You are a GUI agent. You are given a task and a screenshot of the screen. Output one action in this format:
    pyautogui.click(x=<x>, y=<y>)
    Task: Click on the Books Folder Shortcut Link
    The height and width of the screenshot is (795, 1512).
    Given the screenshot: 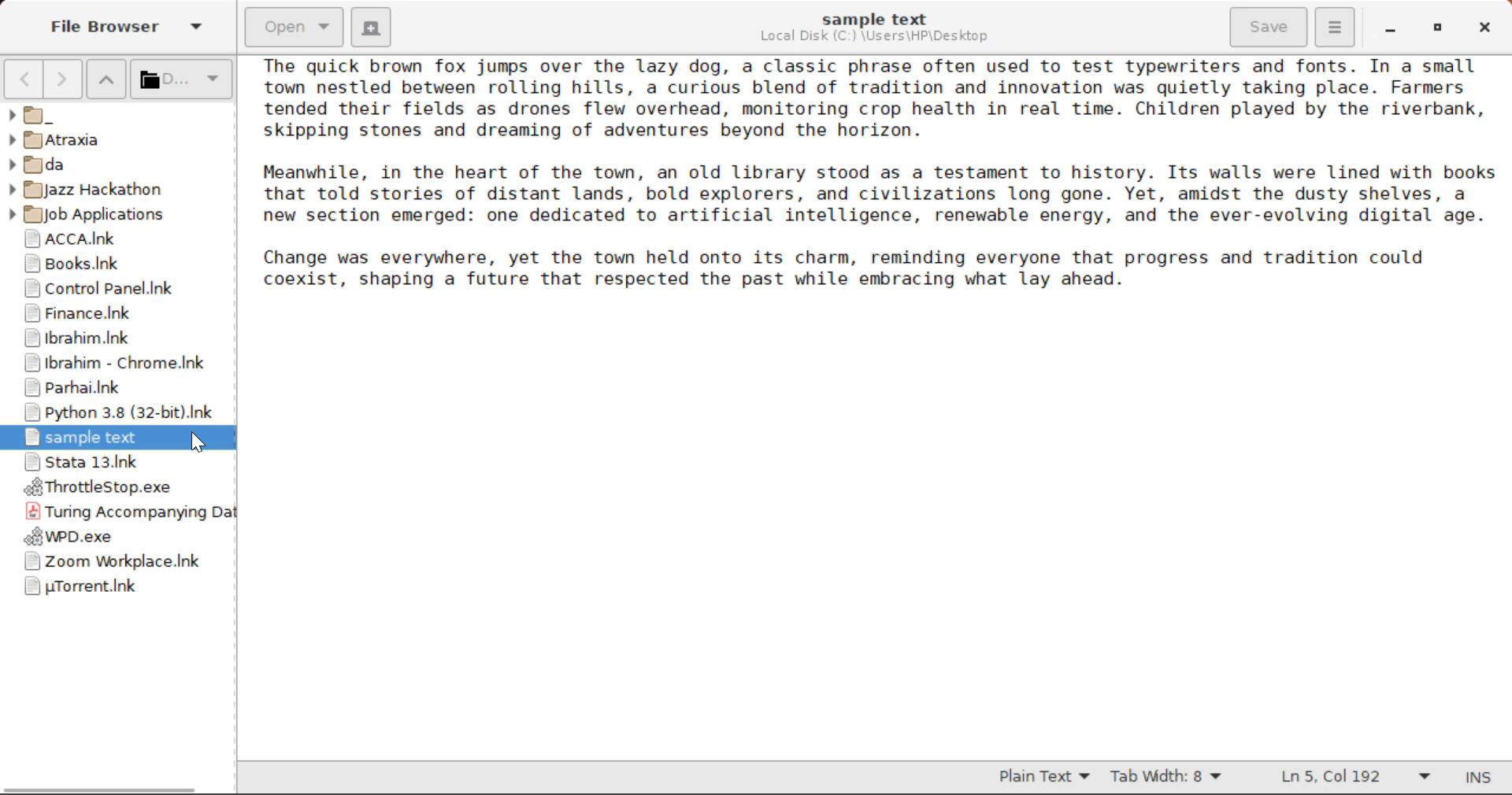 What is the action you would take?
    pyautogui.click(x=117, y=264)
    